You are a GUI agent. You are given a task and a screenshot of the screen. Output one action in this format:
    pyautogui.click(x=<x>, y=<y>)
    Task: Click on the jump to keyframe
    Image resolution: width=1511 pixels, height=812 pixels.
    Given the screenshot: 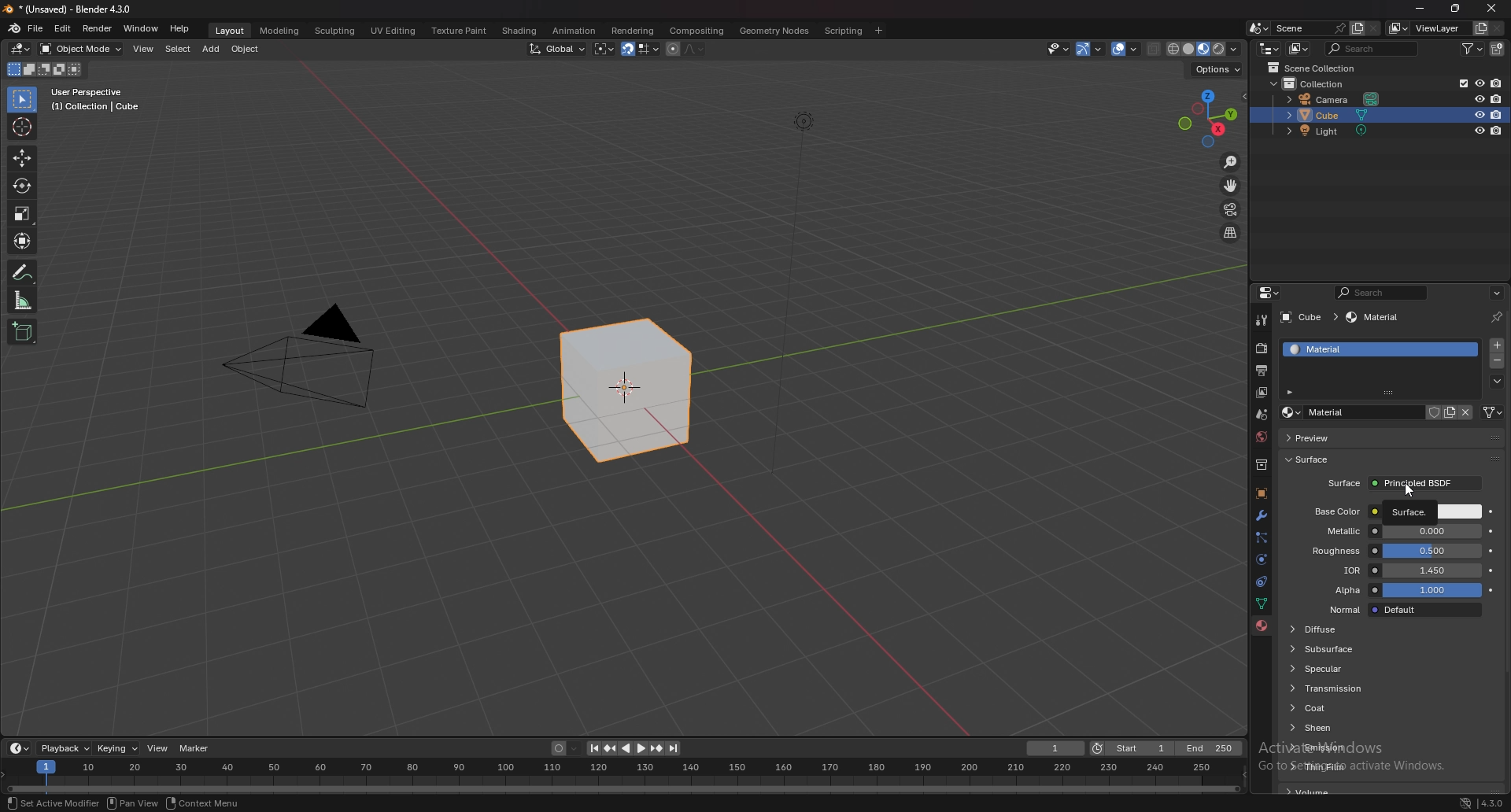 What is the action you would take?
    pyautogui.click(x=657, y=748)
    